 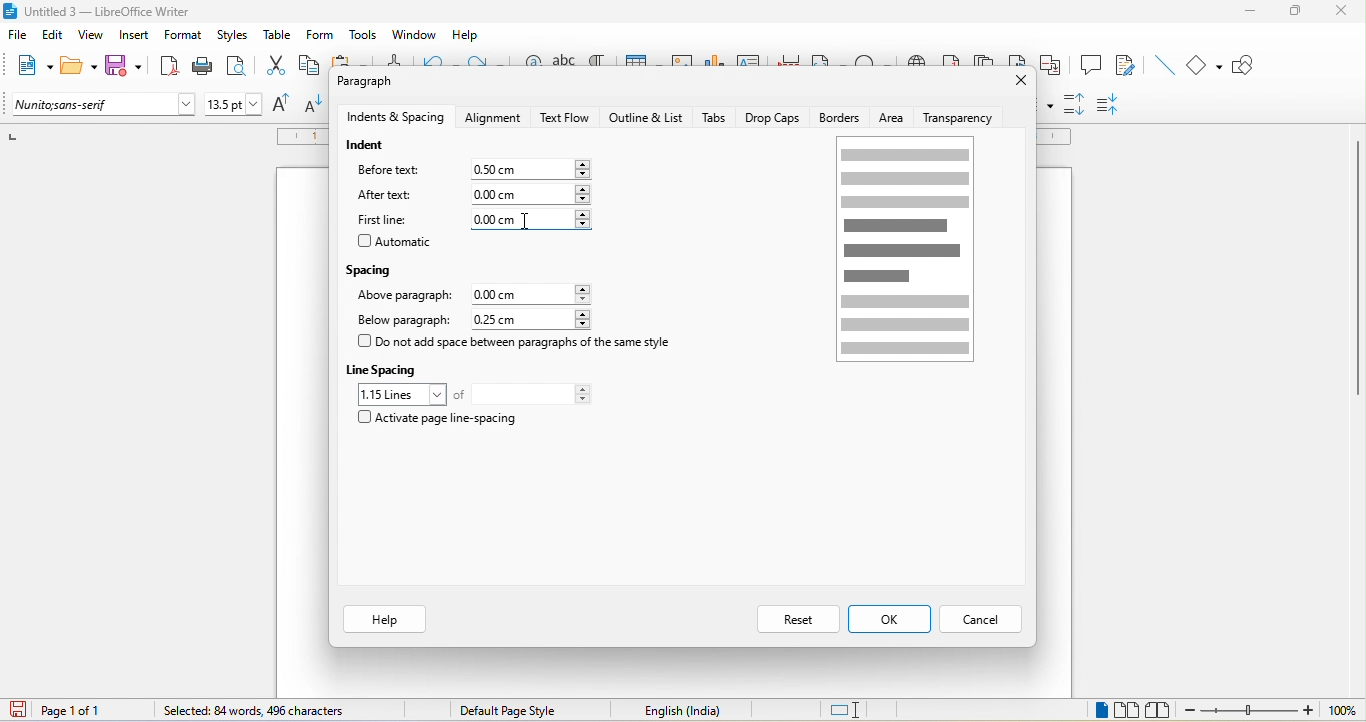 What do you see at coordinates (374, 85) in the screenshot?
I see `paragraph` at bounding box center [374, 85].